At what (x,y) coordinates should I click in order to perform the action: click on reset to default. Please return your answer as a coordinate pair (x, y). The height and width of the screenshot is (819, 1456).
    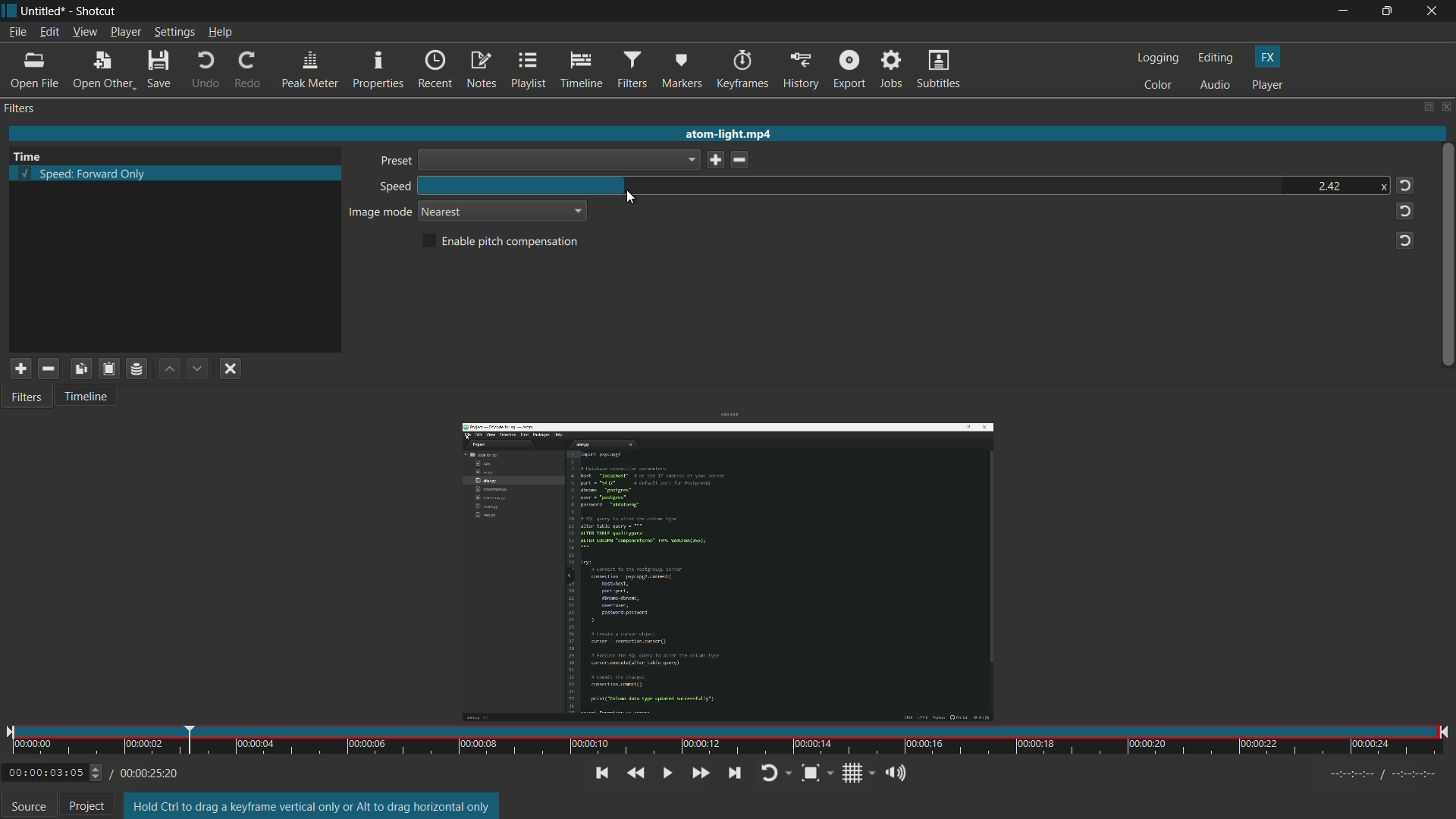
    Looking at the image, I should click on (1404, 185).